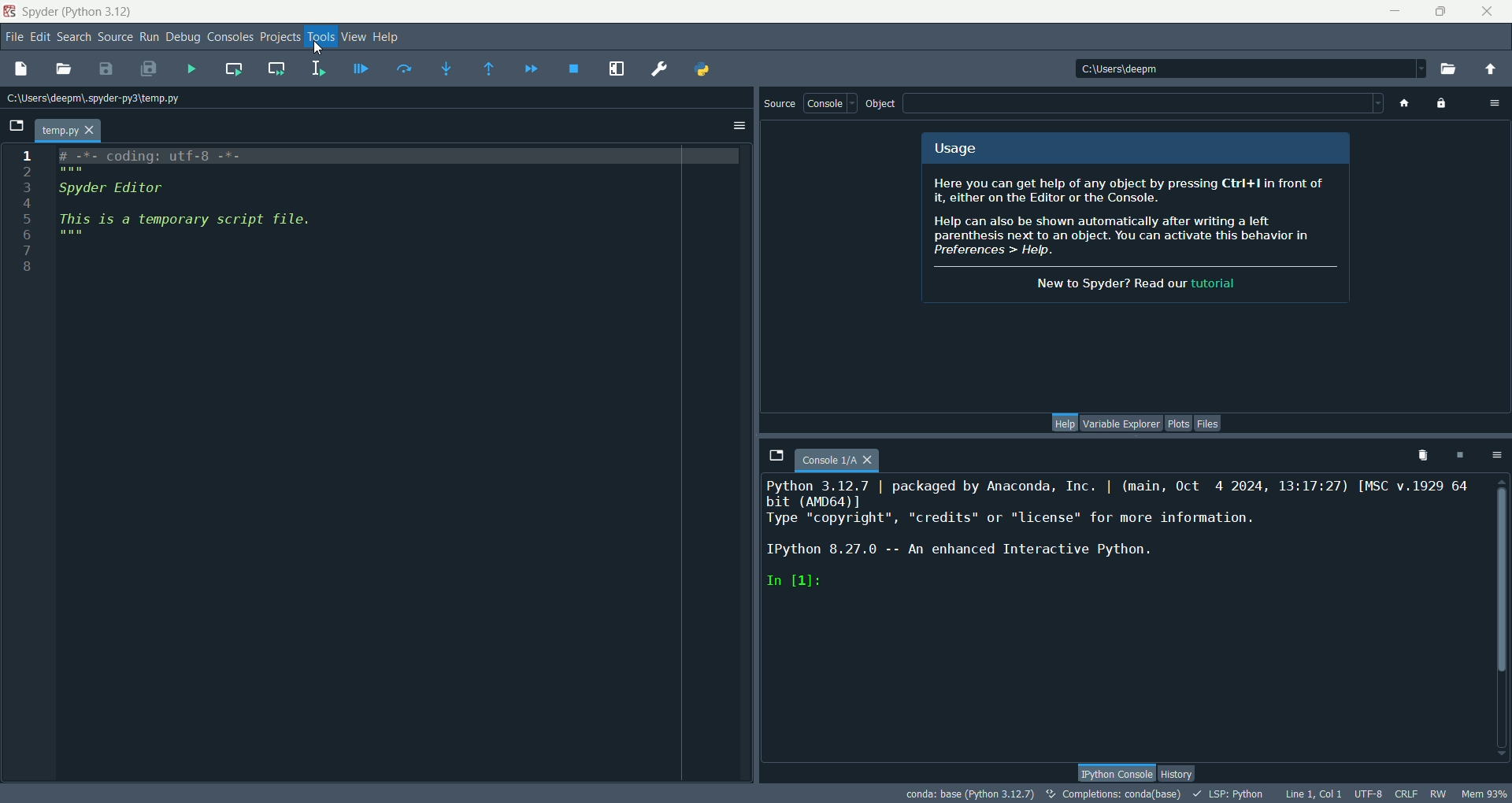 This screenshot has width=1512, height=803. What do you see at coordinates (779, 107) in the screenshot?
I see `source` at bounding box center [779, 107].